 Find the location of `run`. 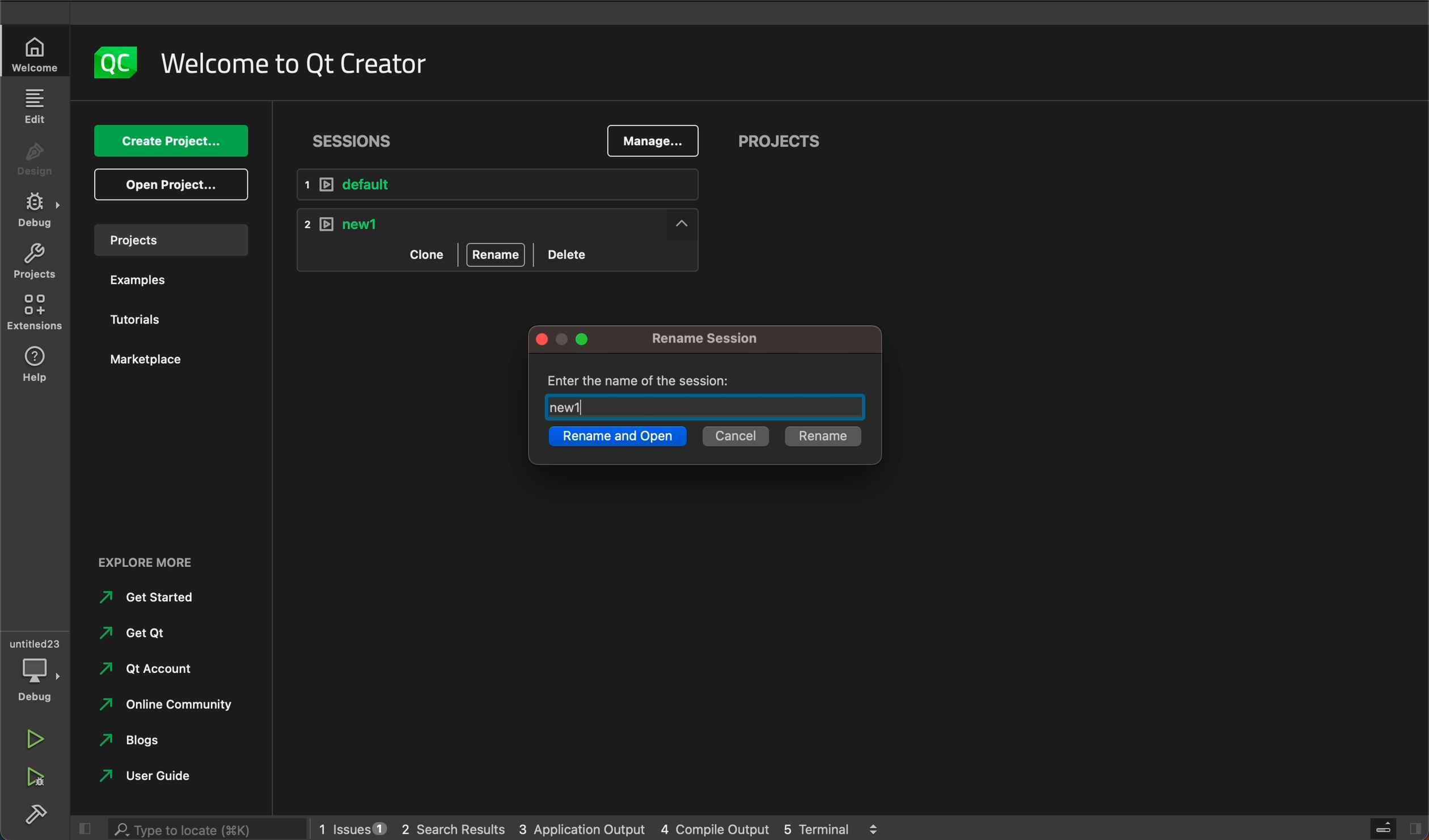

run is located at coordinates (32, 741).